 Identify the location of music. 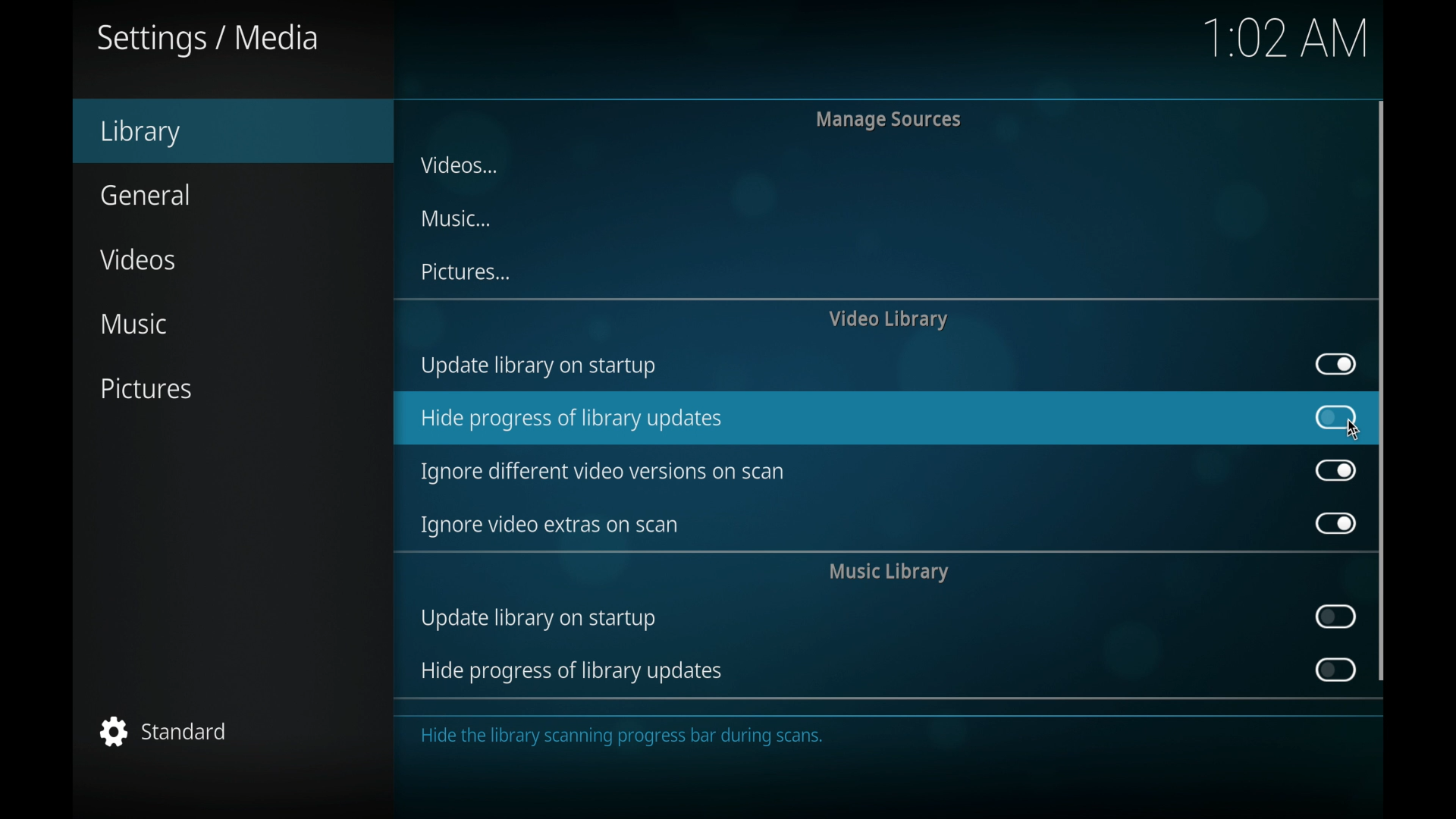
(135, 324).